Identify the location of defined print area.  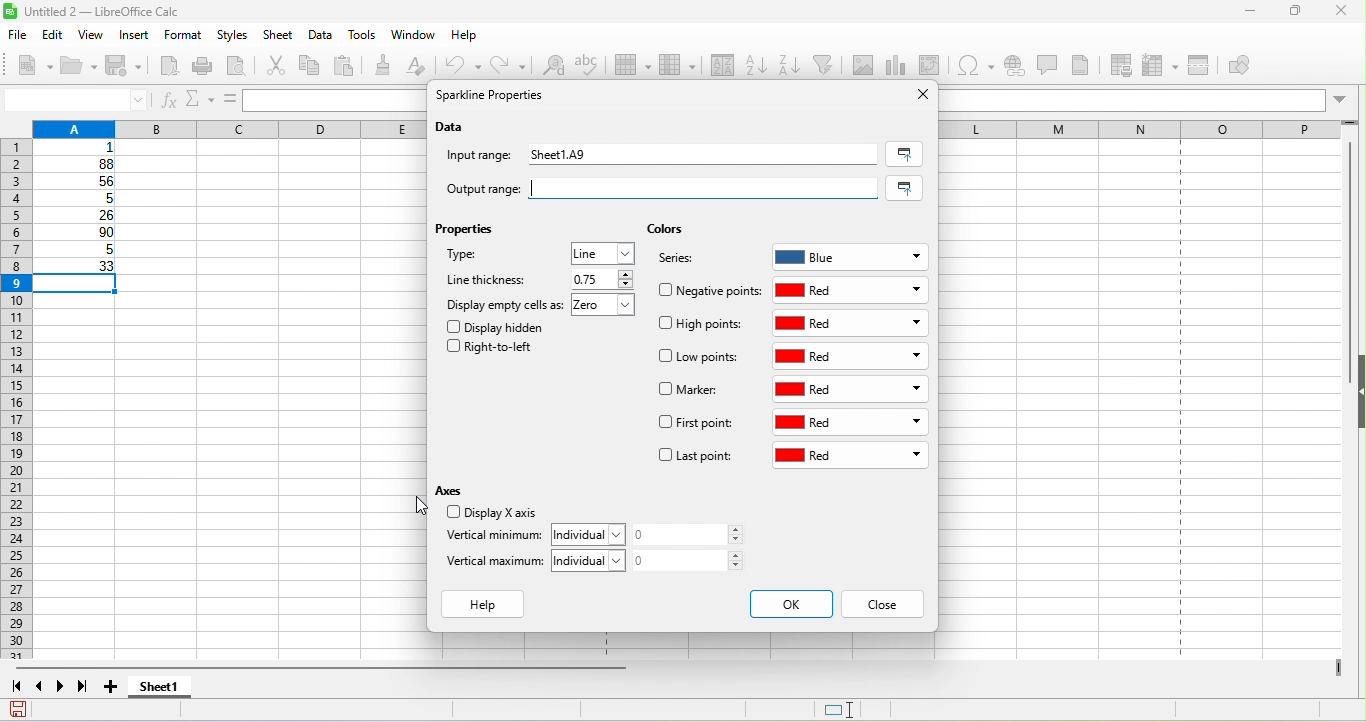
(1125, 65).